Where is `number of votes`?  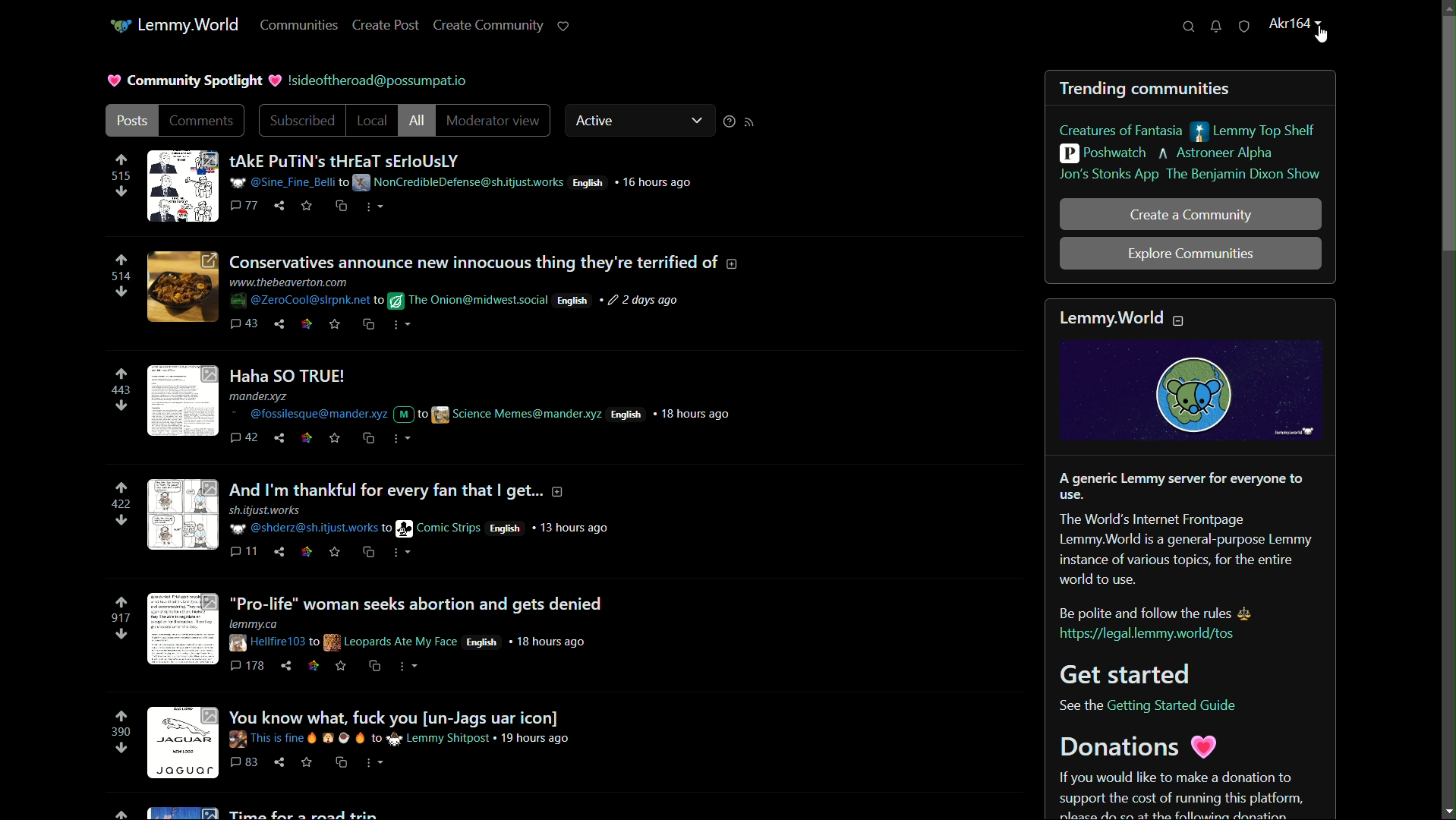
number of votes is located at coordinates (121, 276).